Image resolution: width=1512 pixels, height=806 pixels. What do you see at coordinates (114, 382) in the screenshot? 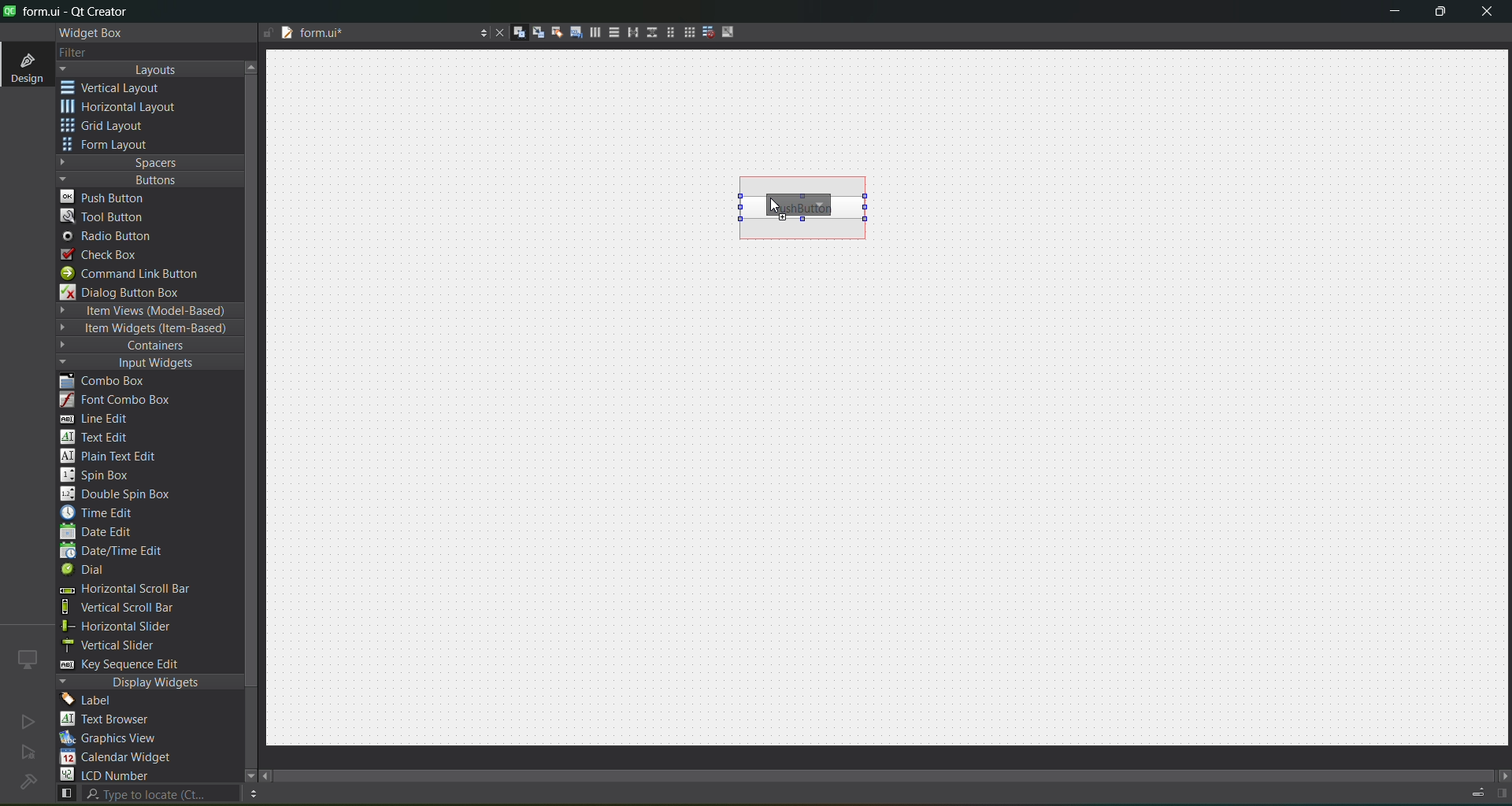
I see `combo box` at bounding box center [114, 382].